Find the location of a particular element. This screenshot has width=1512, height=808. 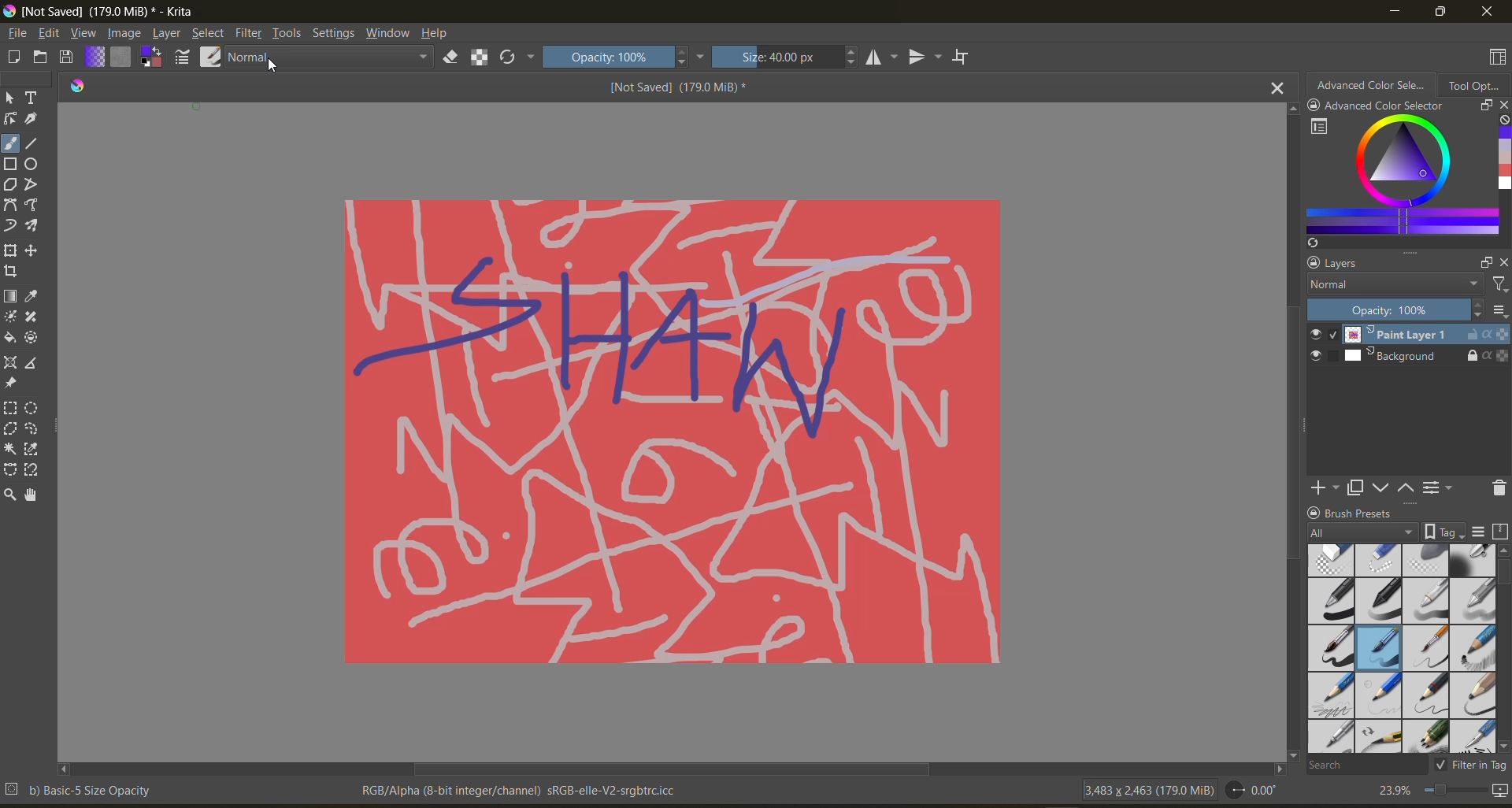

Contiguous selection tool is located at coordinates (10, 449).